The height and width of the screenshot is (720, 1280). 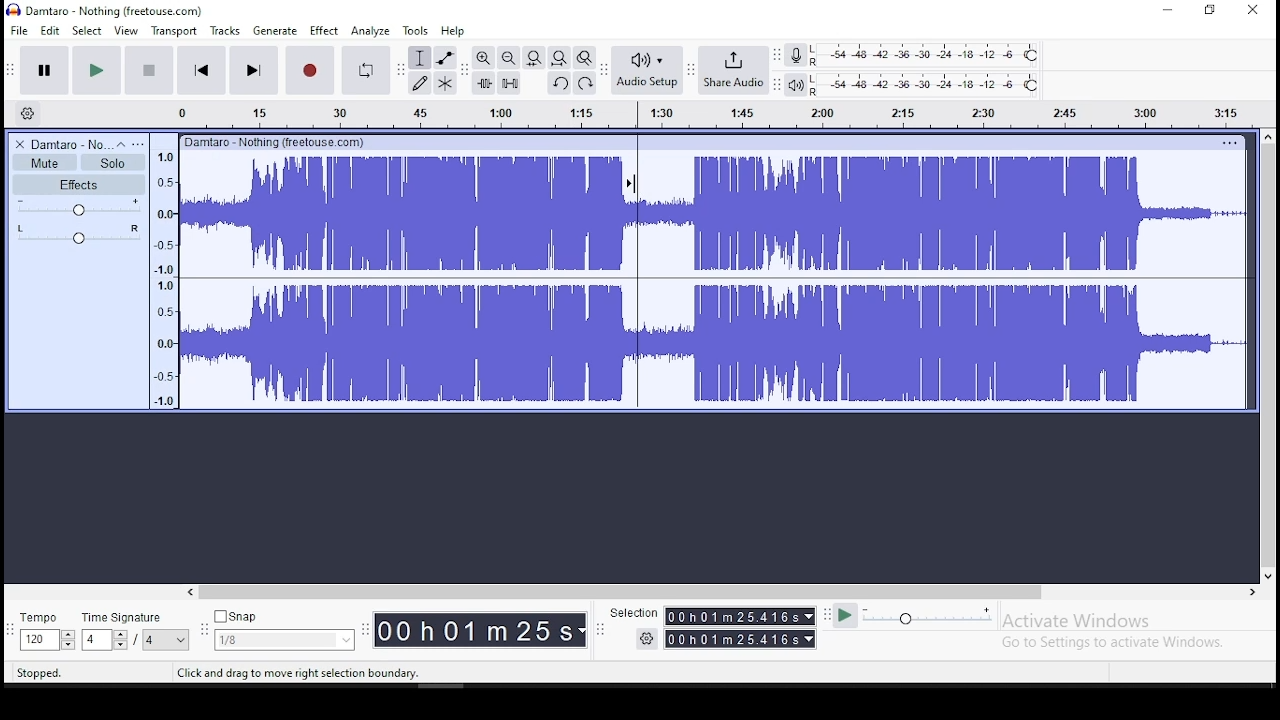 What do you see at coordinates (188, 591) in the screenshot?
I see `scroll left` at bounding box center [188, 591].